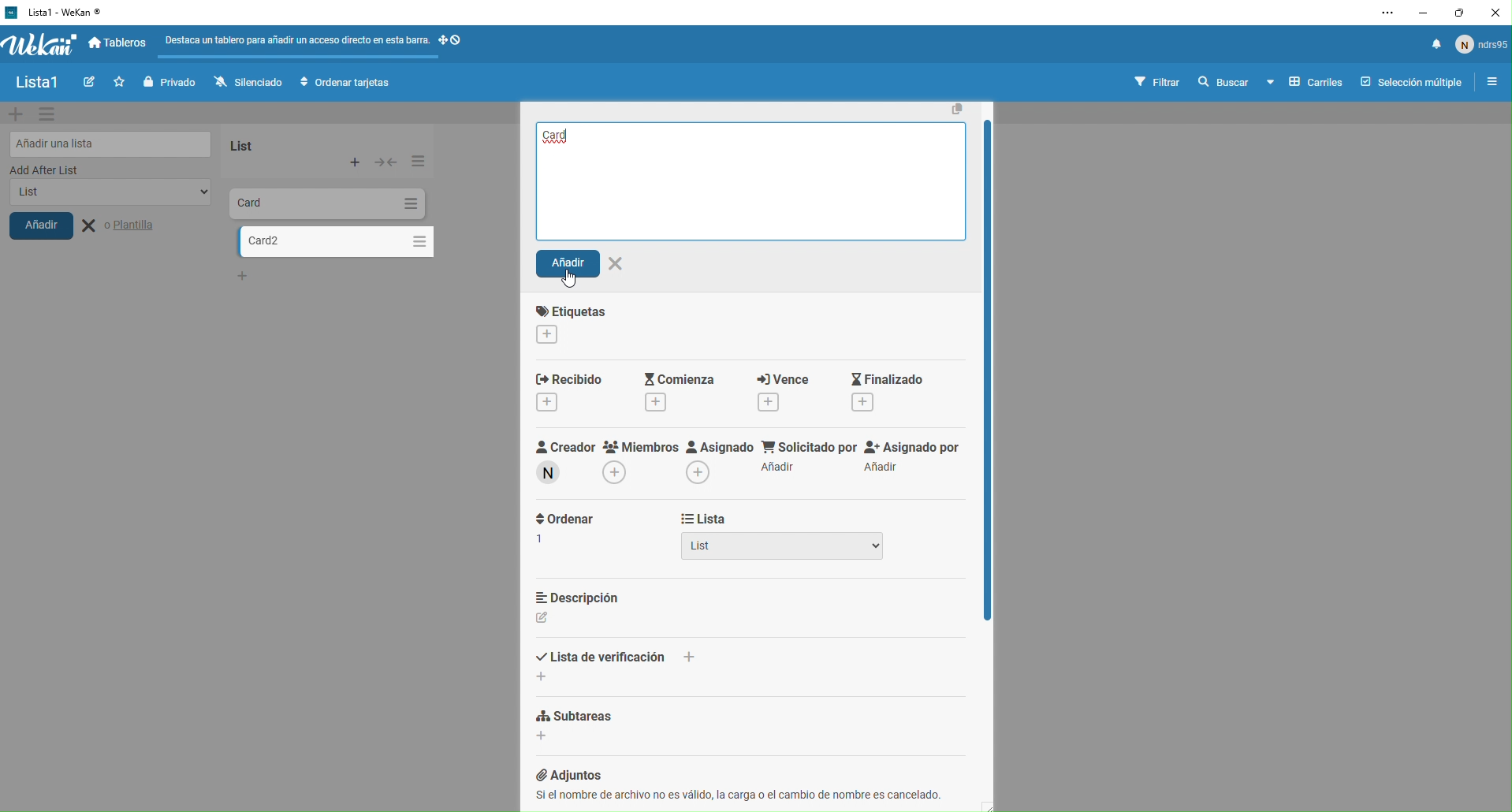 Image resolution: width=1512 pixels, height=812 pixels. Describe the element at coordinates (557, 453) in the screenshot. I see `Creador` at that location.